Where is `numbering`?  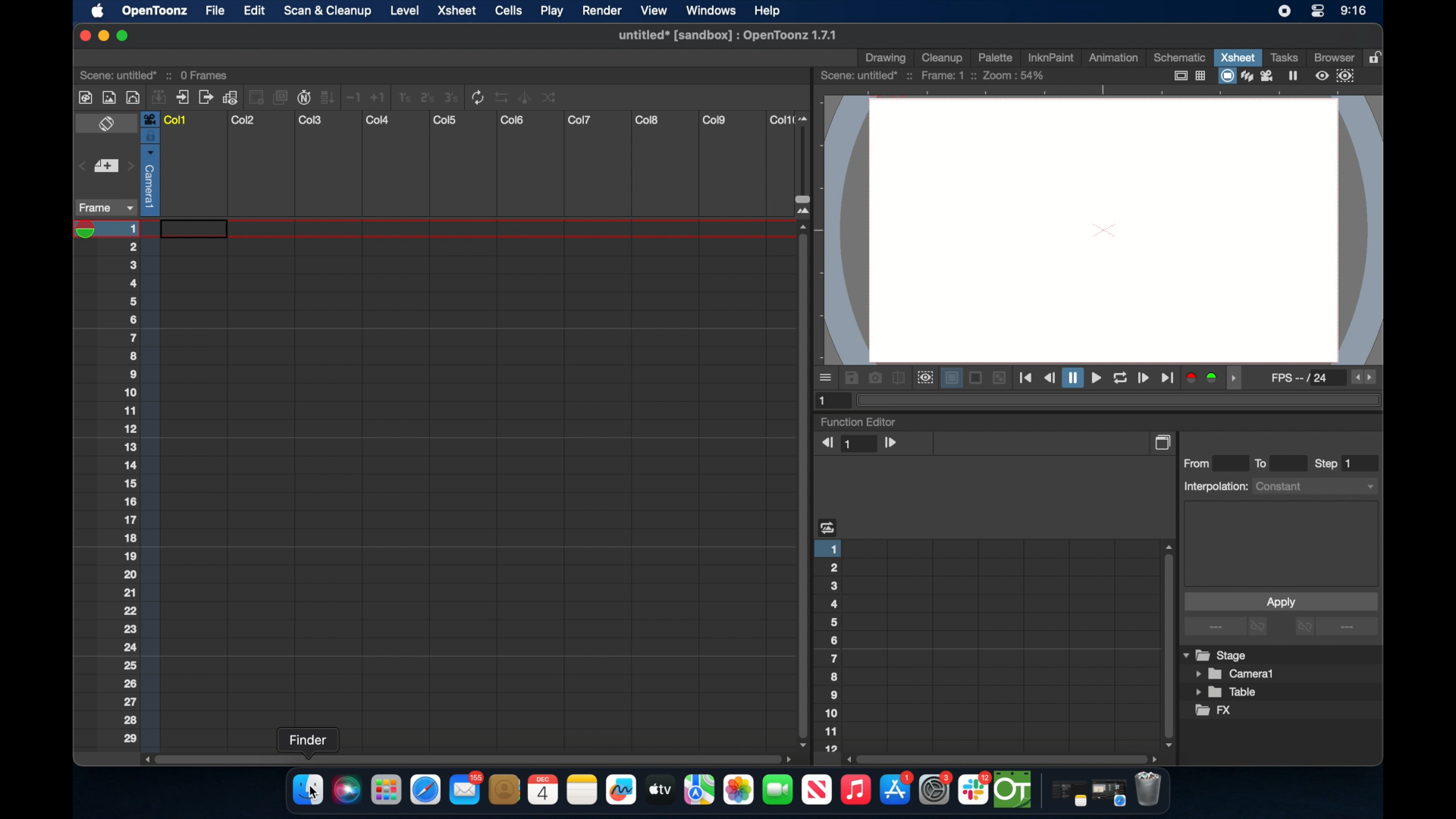 numbering is located at coordinates (140, 483).